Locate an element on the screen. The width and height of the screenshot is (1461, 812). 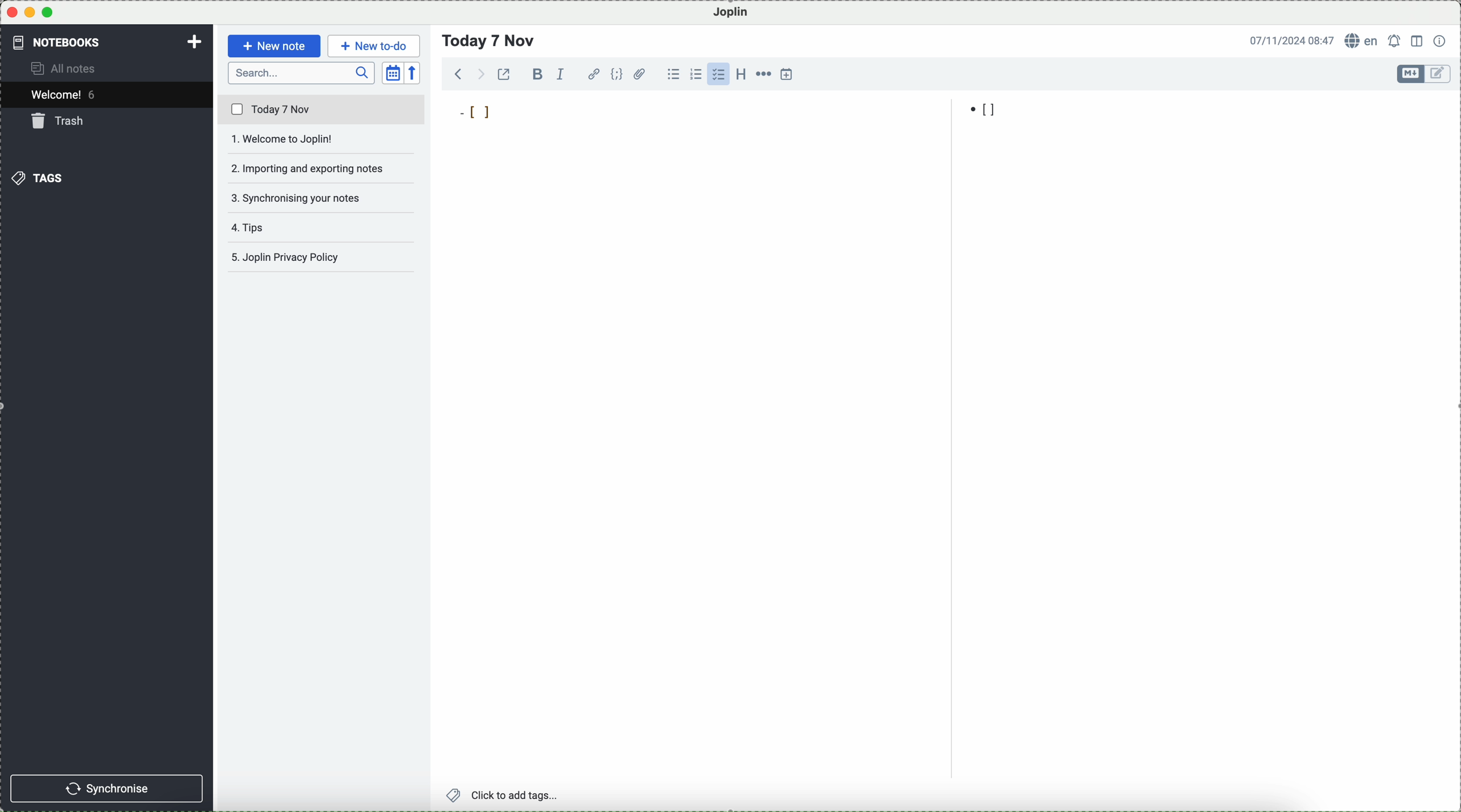
welcome to Joplin is located at coordinates (321, 139).